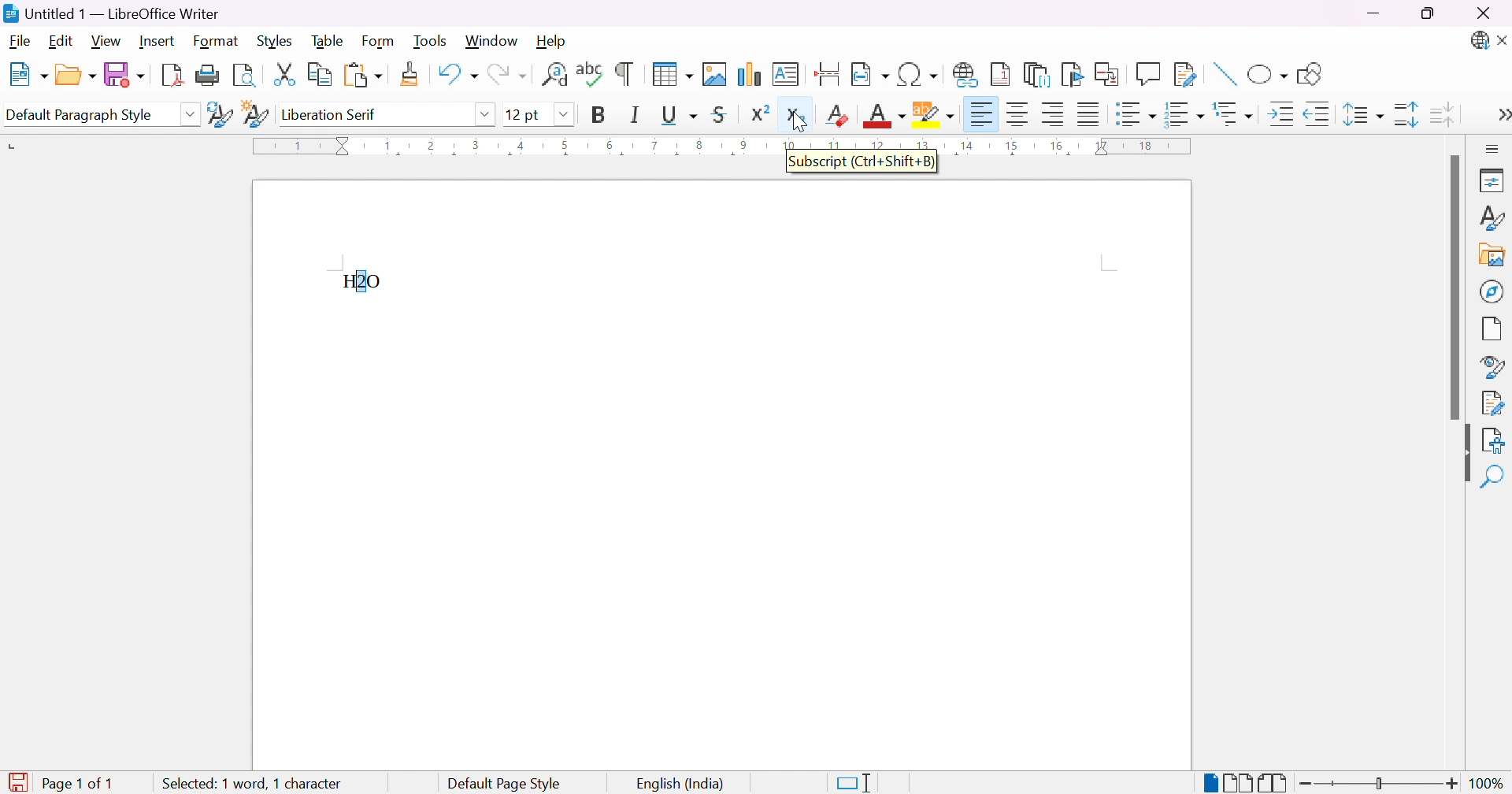 The image size is (1512, 794). I want to click on Untitled 1 - LibreOffice Writer, so click(109, 13).